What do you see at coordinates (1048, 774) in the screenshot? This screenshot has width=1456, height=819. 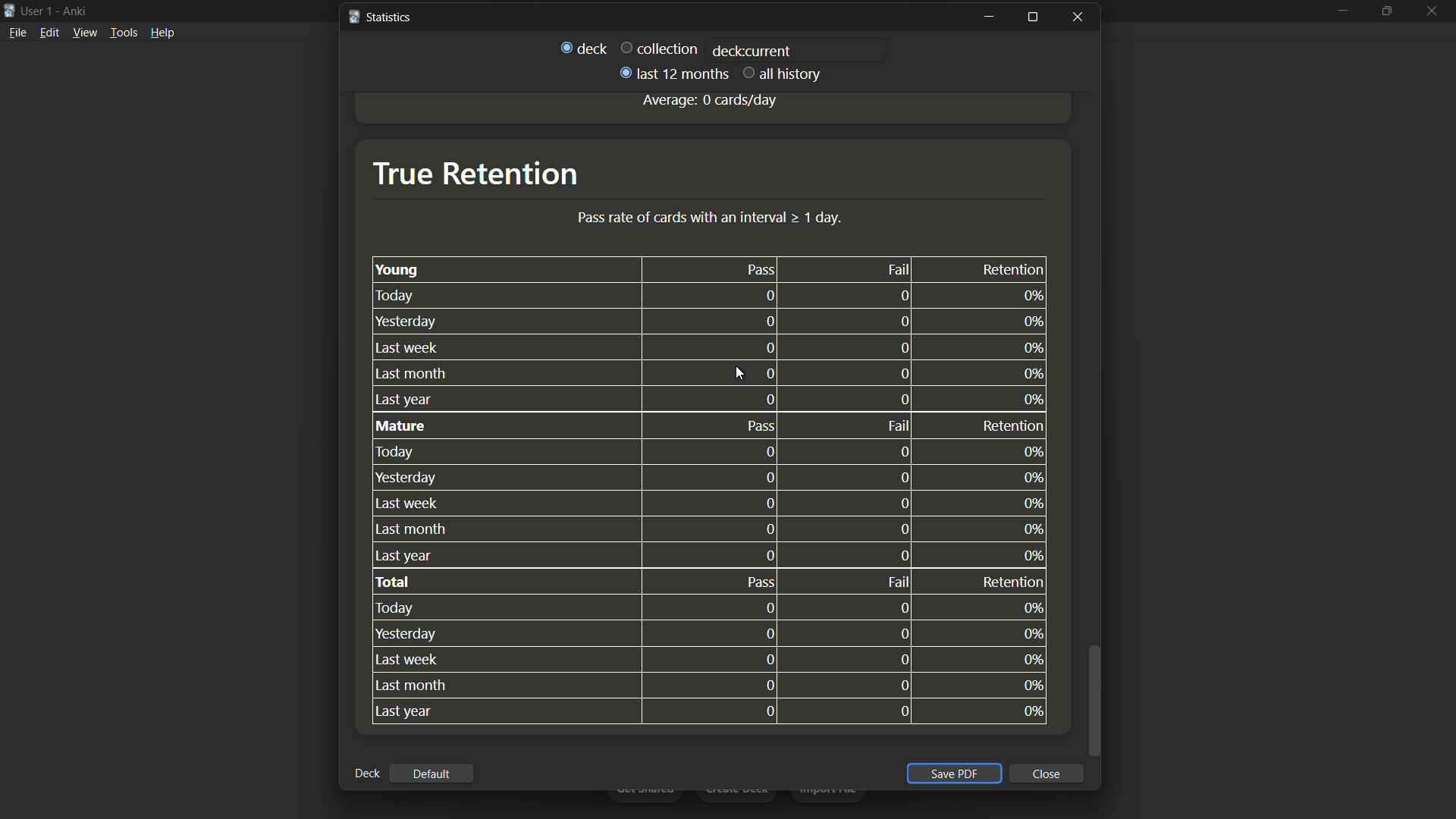 I see `close` at bounding box center [1048, 774].